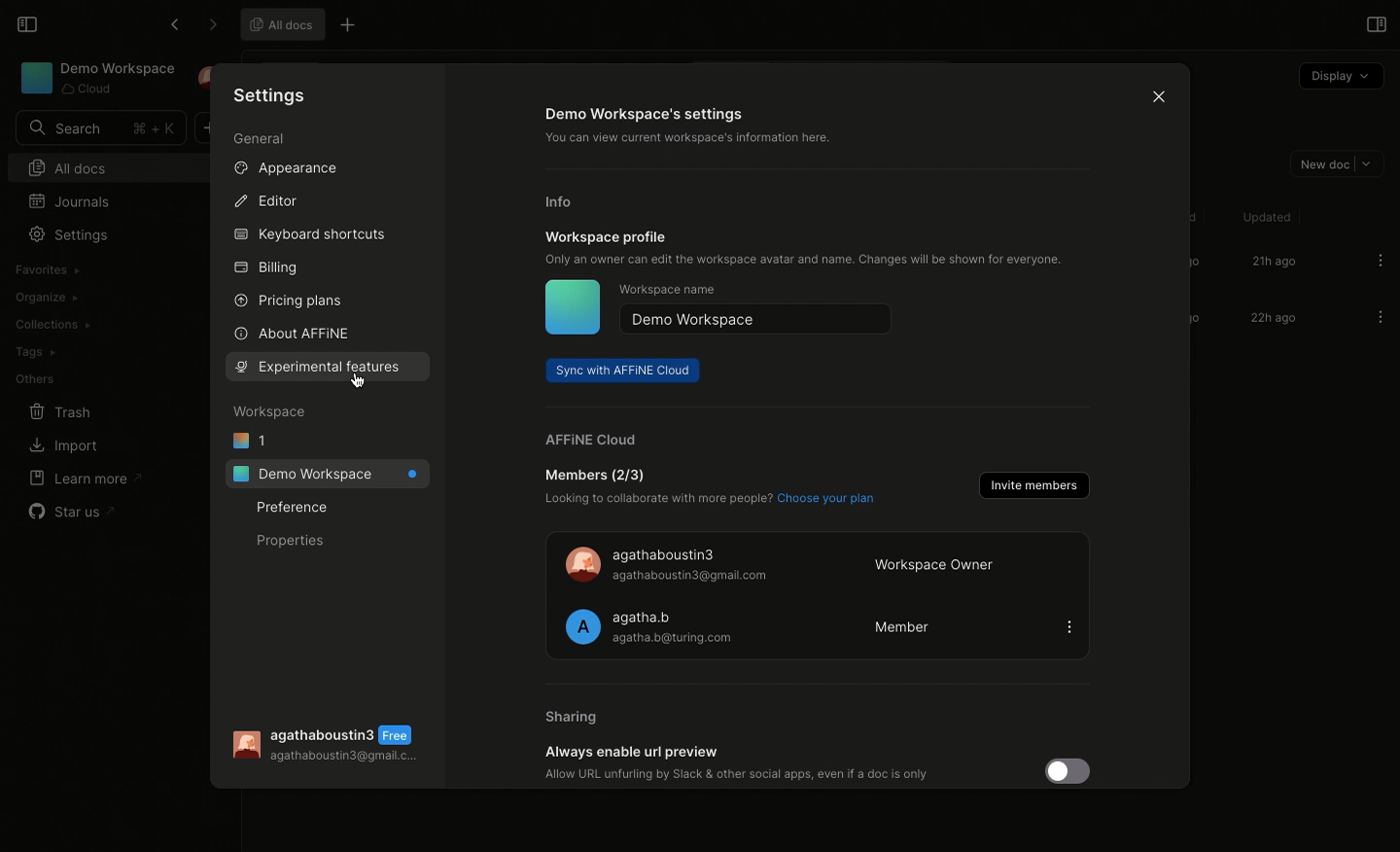 The image size is (1400, 852). Describe the element at coordinates (98, 78) in the screenshot. I see `Demo Workspace` at that location.